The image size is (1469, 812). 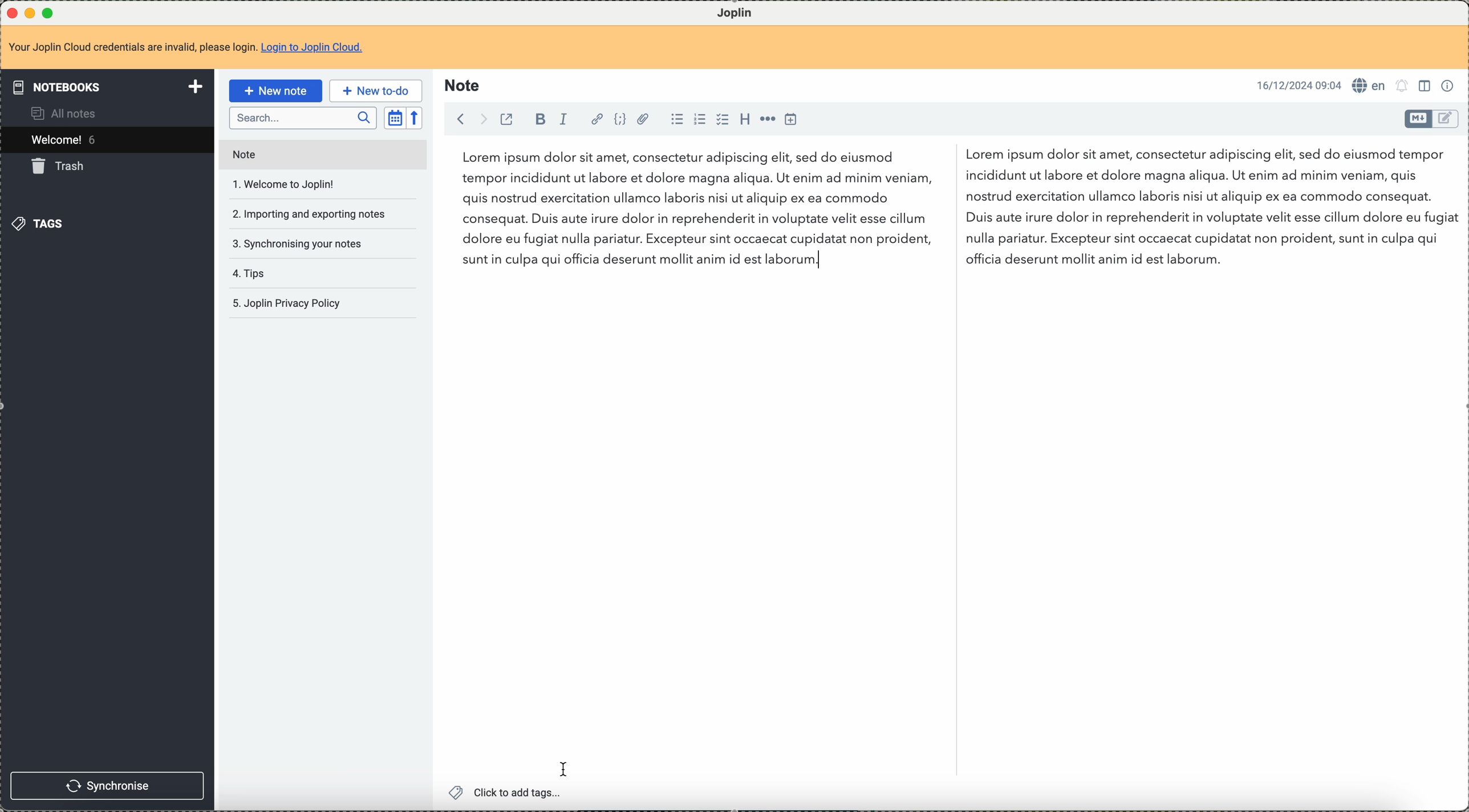 What do you see at coordinates (688, 212) in the screenshot?
I see `Lorem ipsum dolor sit amet, consectetur...` at bounding box center [688, 212].